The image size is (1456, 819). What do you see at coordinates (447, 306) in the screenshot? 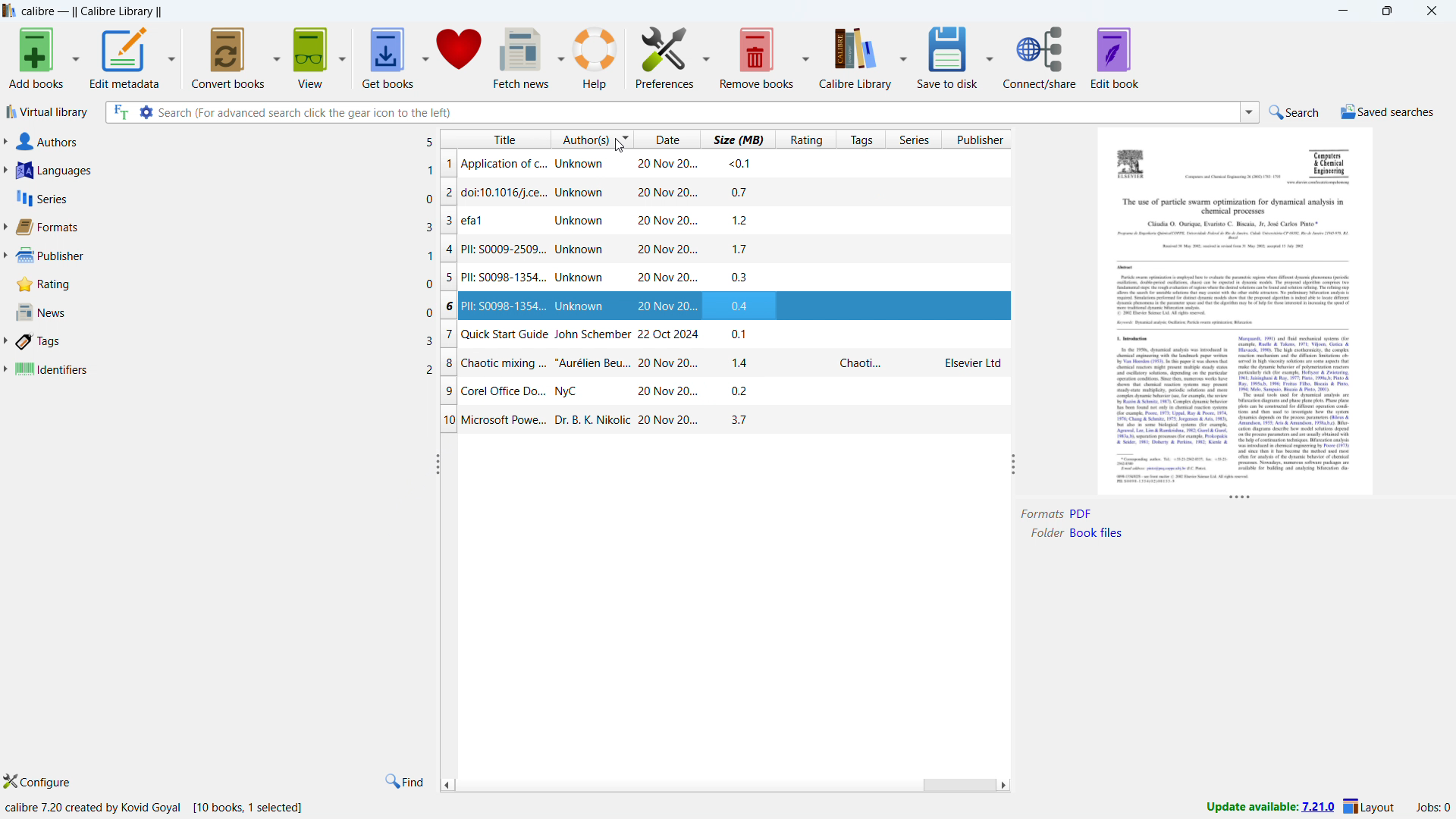
I see `6` at bounding box center [447, 306].